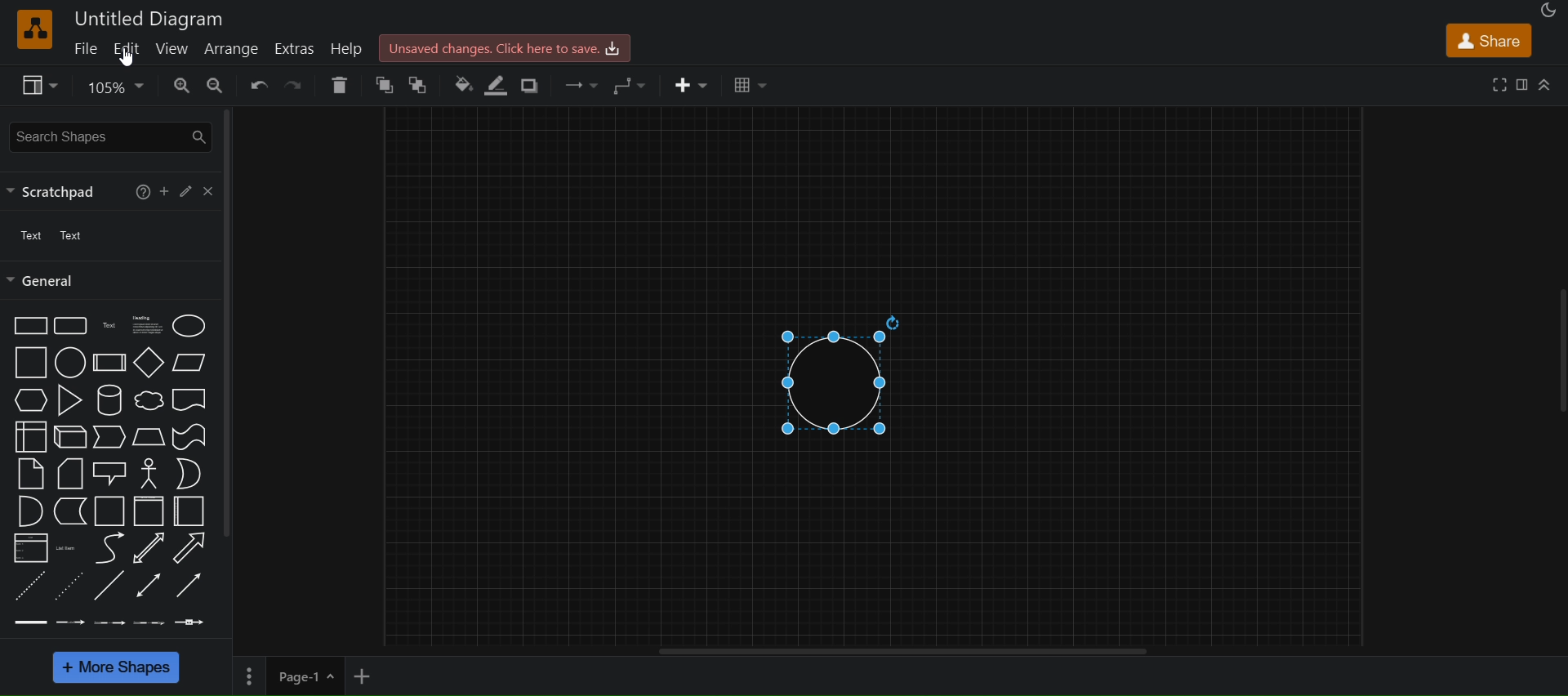 This screenshot has width=1568, height=696. Describe the element at coordinates (30, 548) in the screenshot. I see `list` at that location.